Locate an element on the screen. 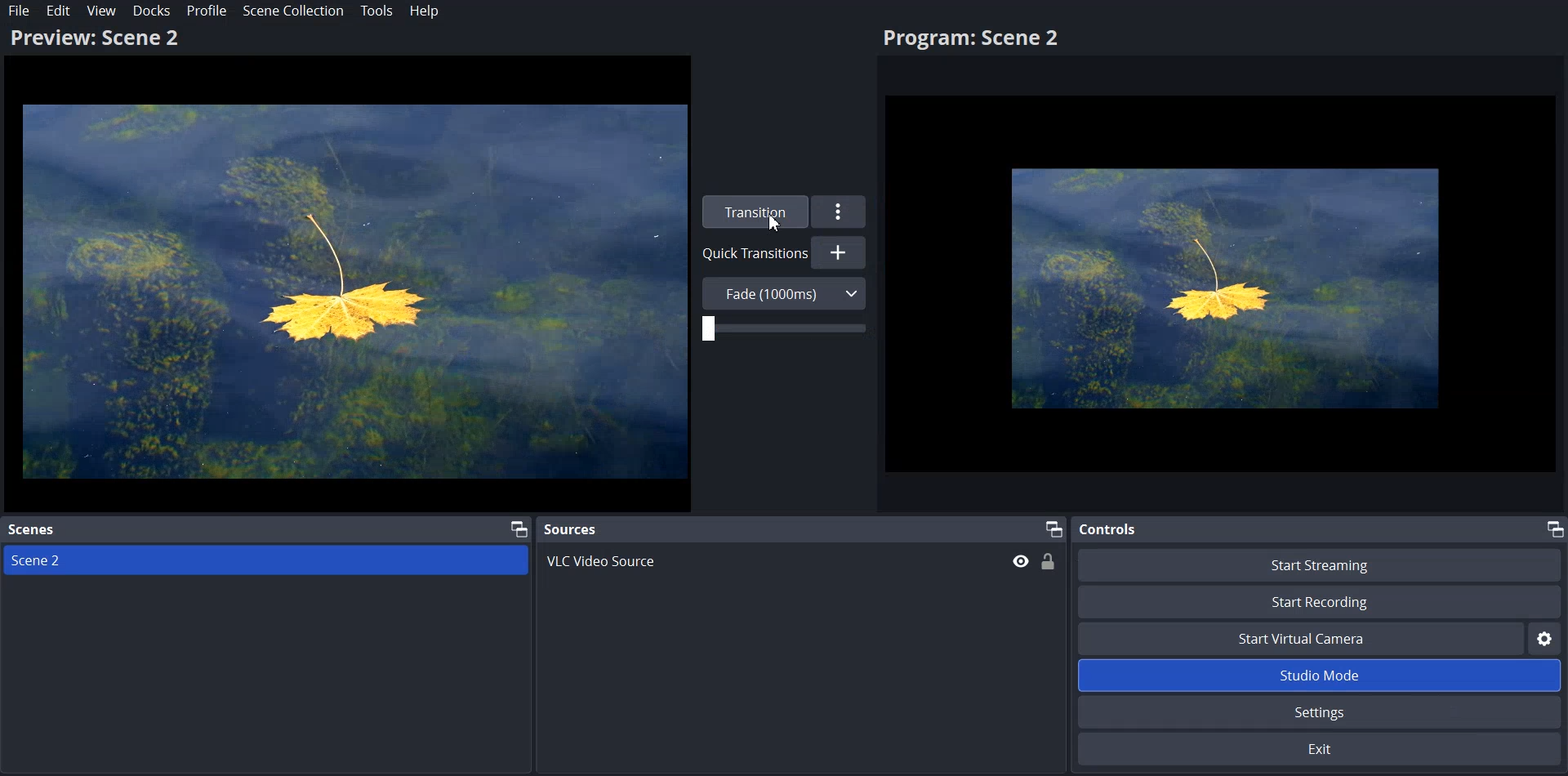  File is located at coordinates (20, 10).